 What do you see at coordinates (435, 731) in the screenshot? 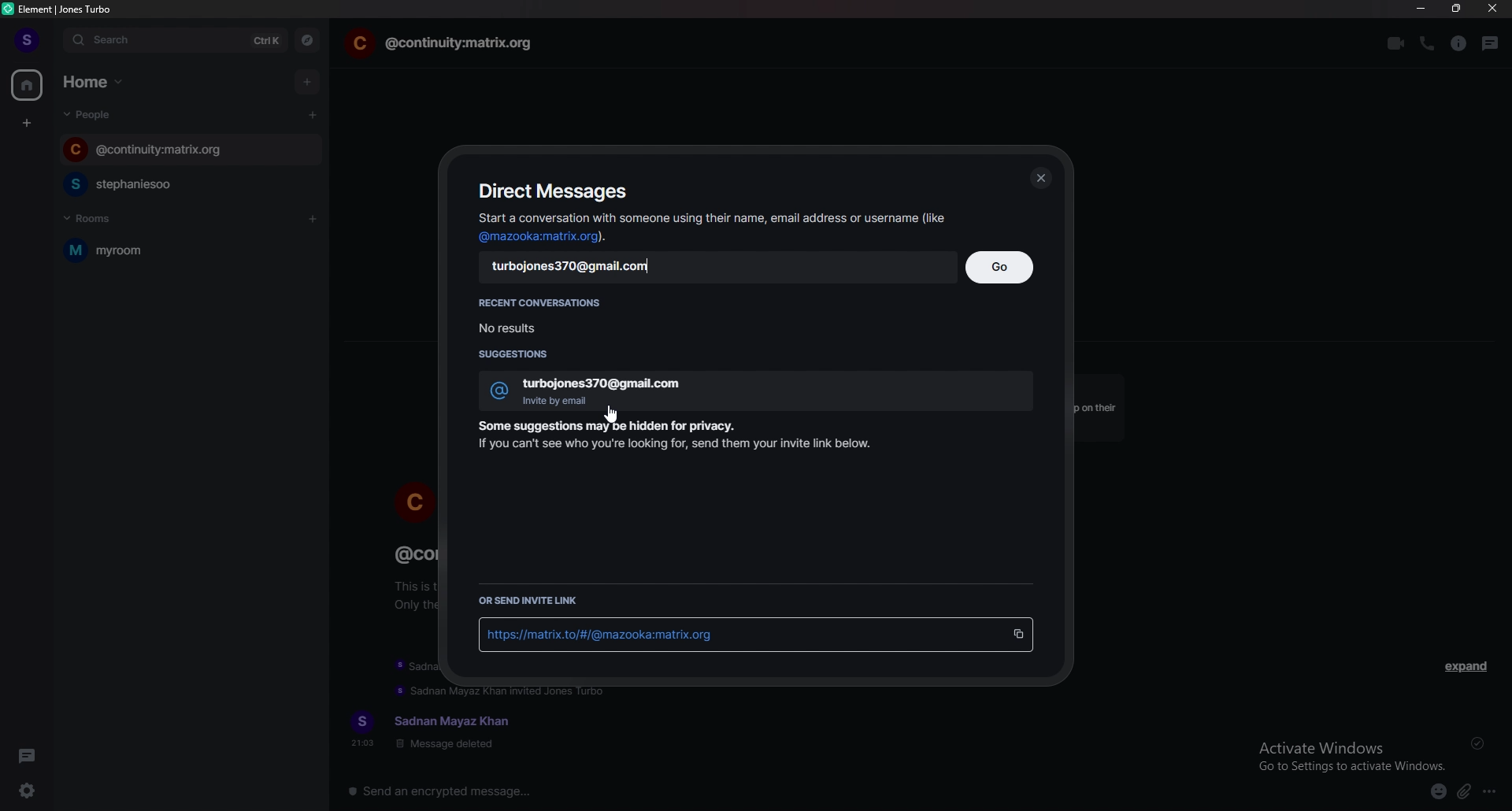
I see `text` at bounding box center [435, 731].